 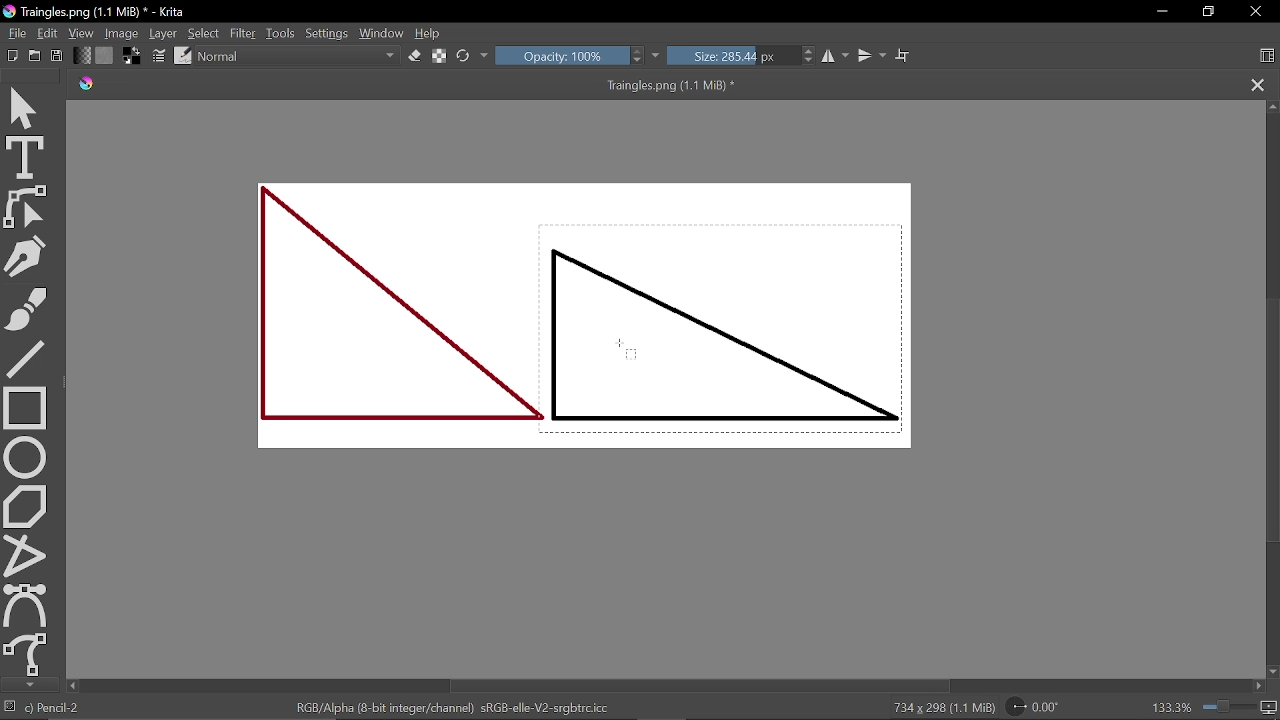 I want to click on Polyline tool, so click(x=25, y=555).